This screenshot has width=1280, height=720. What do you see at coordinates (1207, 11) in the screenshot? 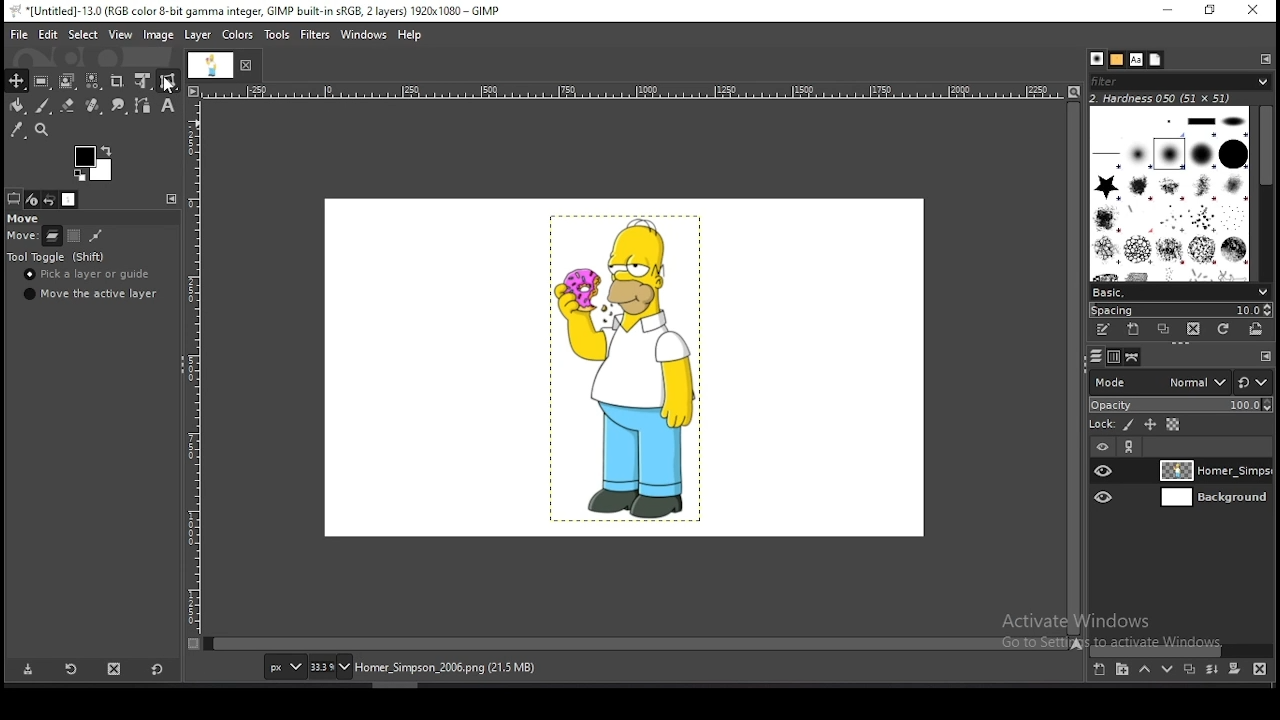
I see `restore` at bounding box center [1207, 11].